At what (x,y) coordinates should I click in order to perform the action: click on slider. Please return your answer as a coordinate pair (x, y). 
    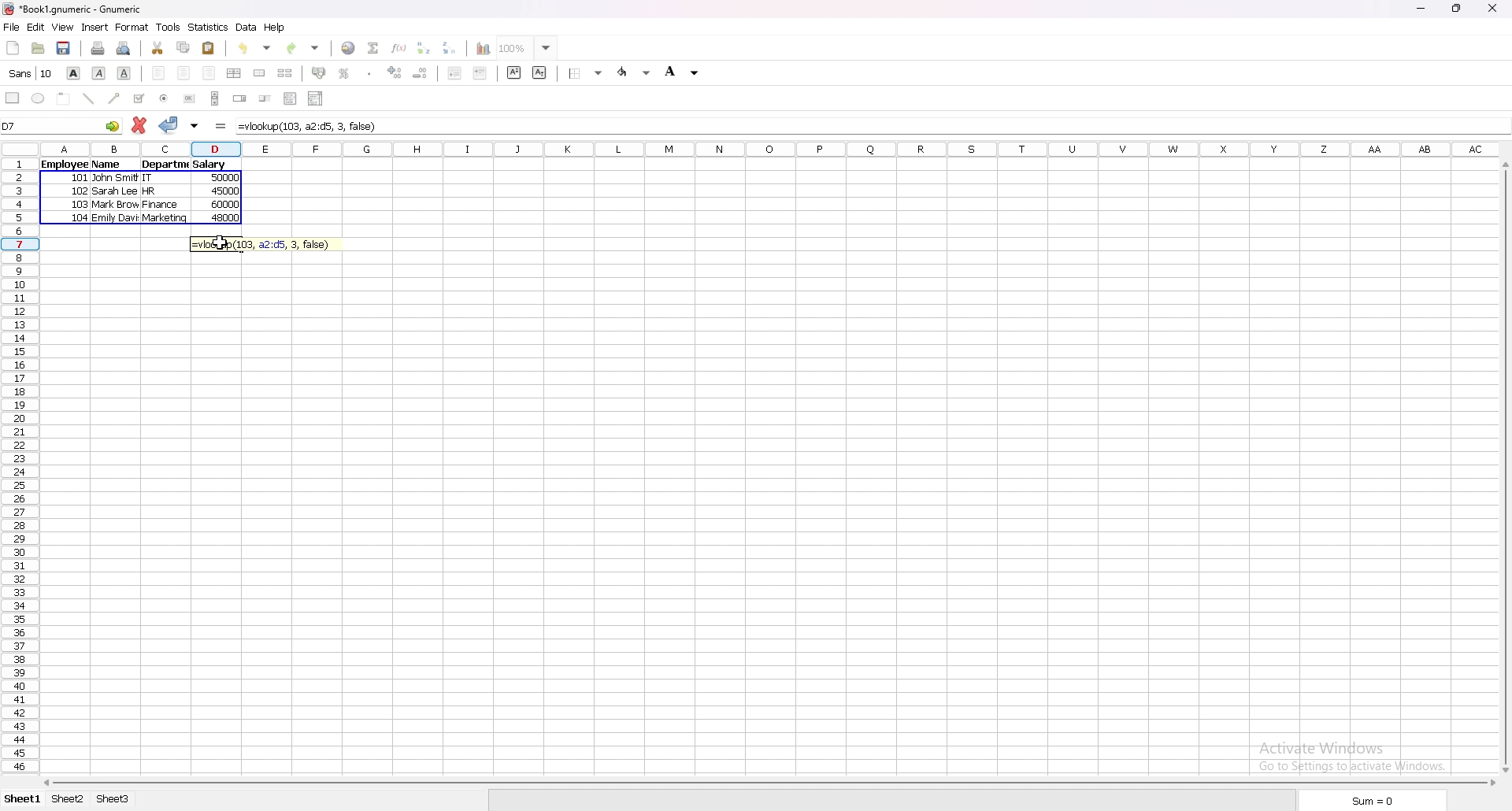
    Looking at the image, I should click on (265, 98).